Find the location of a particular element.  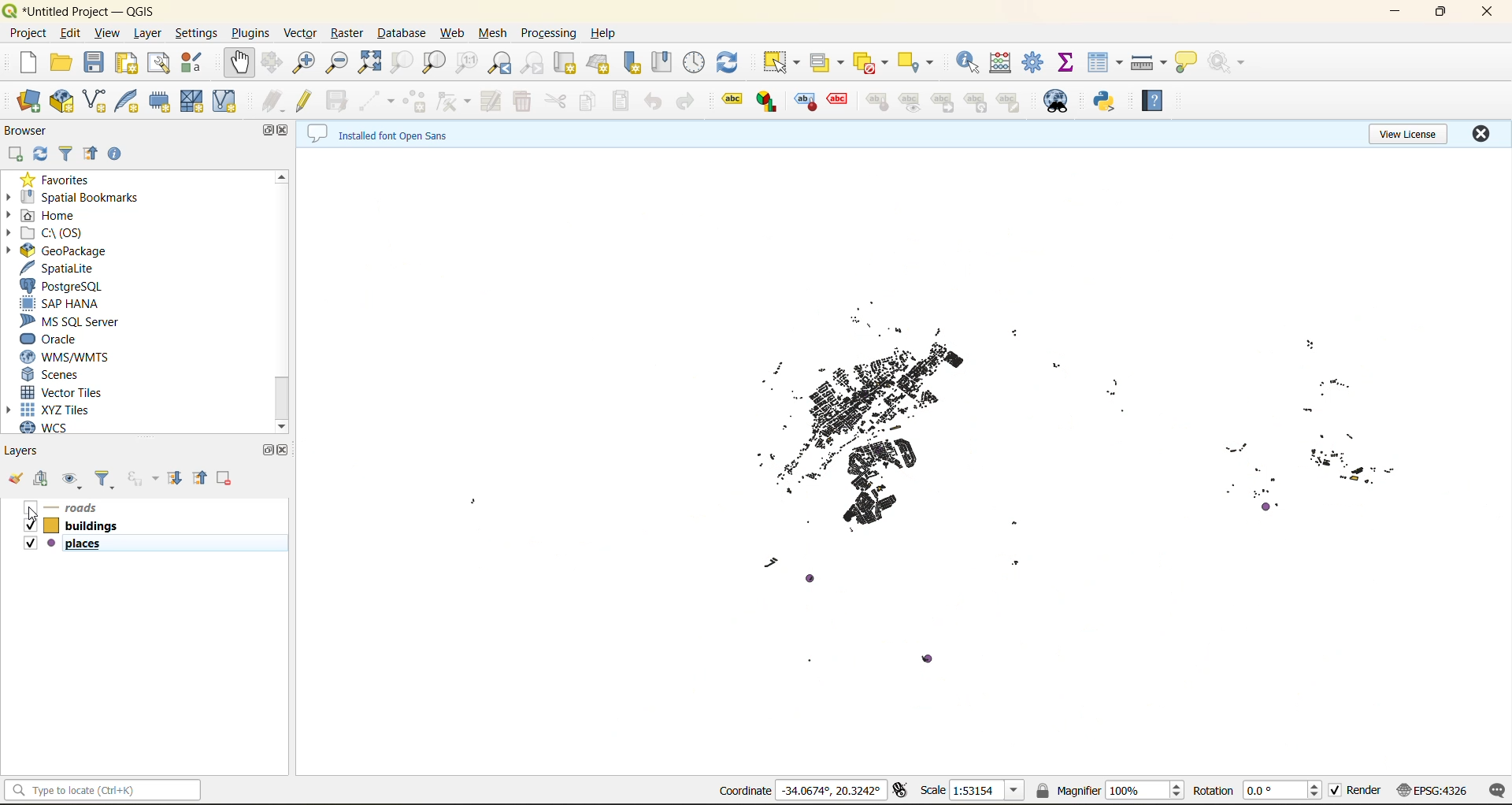

maximize is located at coordinates (1451, 12).